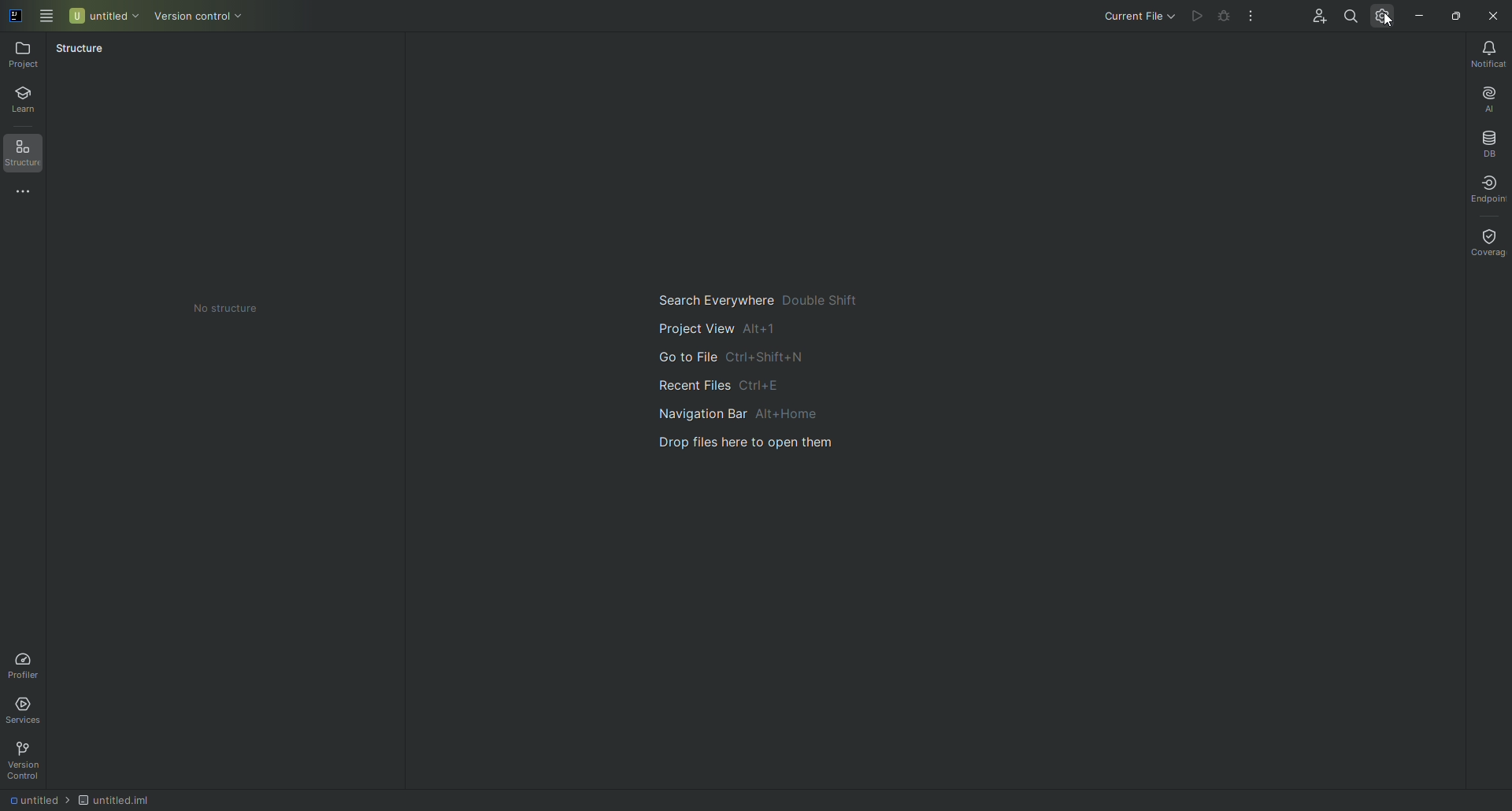 The image size is (1512, 811). I want to click on Version Control, so click(24, 763).